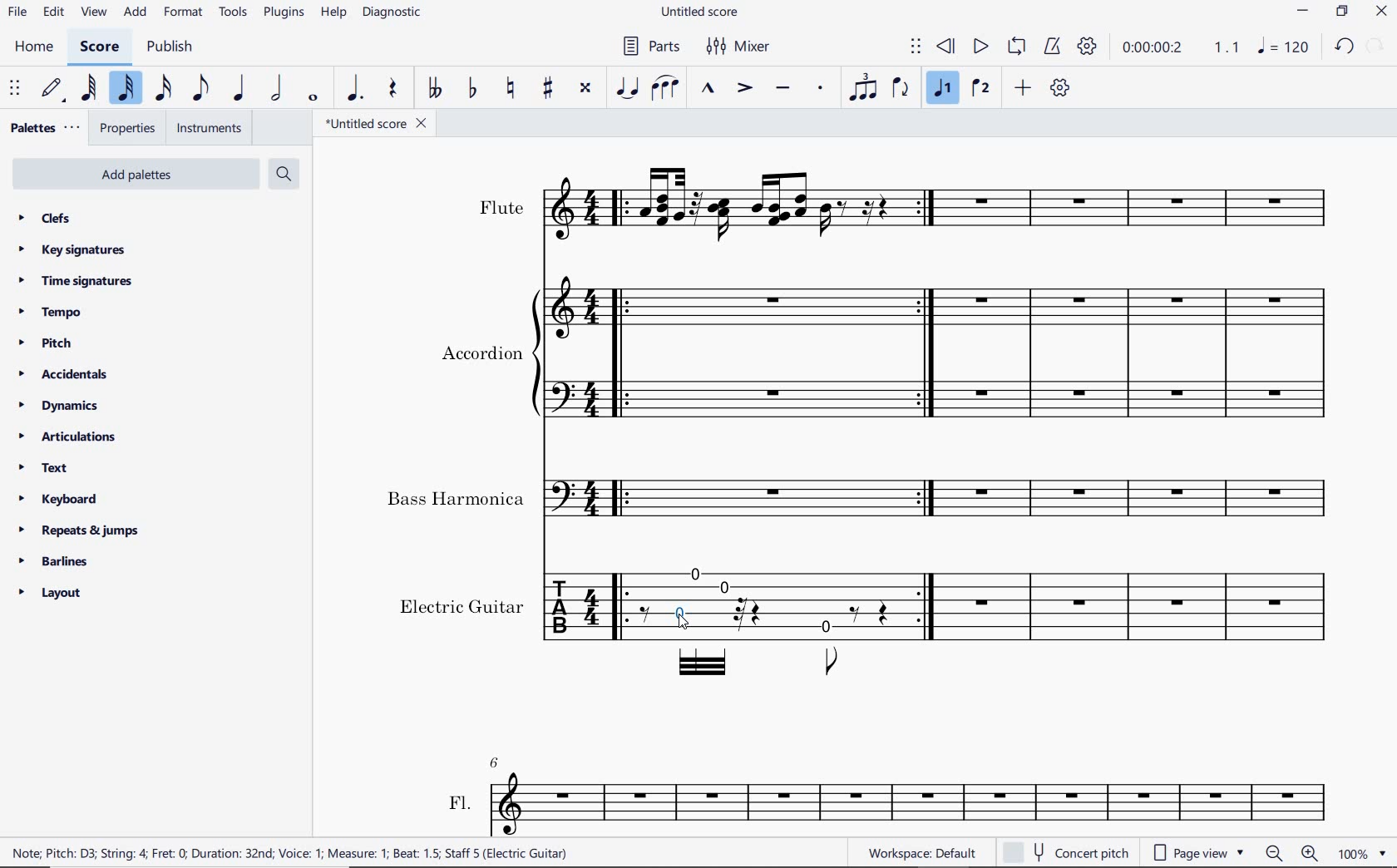 This screenshot has height=868, width=1397. Describe the element at coordinates (32, 47) in the screenshot. I see `home` at that location.